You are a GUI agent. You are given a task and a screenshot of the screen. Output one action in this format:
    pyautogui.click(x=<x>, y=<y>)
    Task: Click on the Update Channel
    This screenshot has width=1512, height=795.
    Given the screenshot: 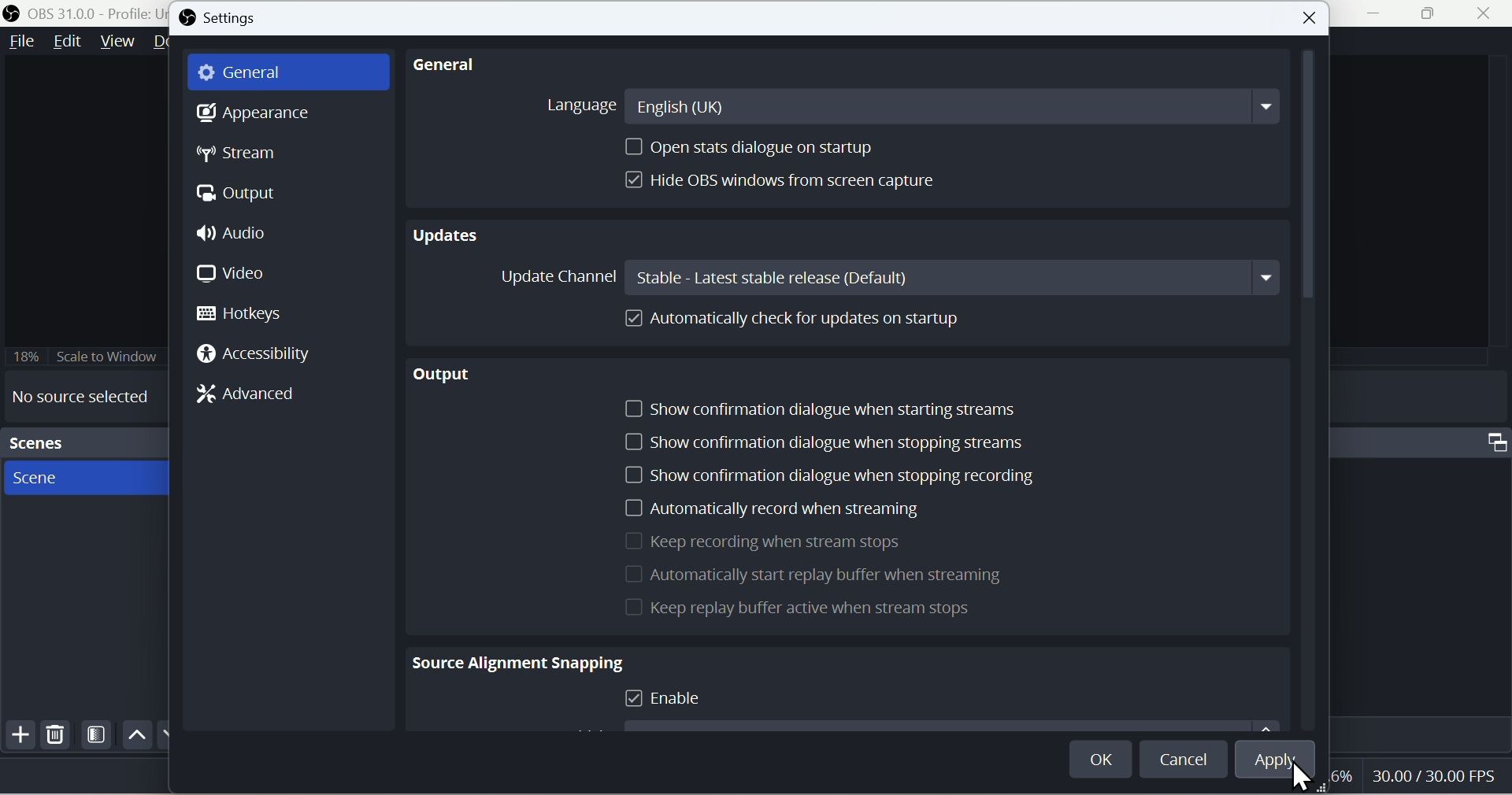 What is the action you would take?
    pyautogui.click(x=556, y=275)
    